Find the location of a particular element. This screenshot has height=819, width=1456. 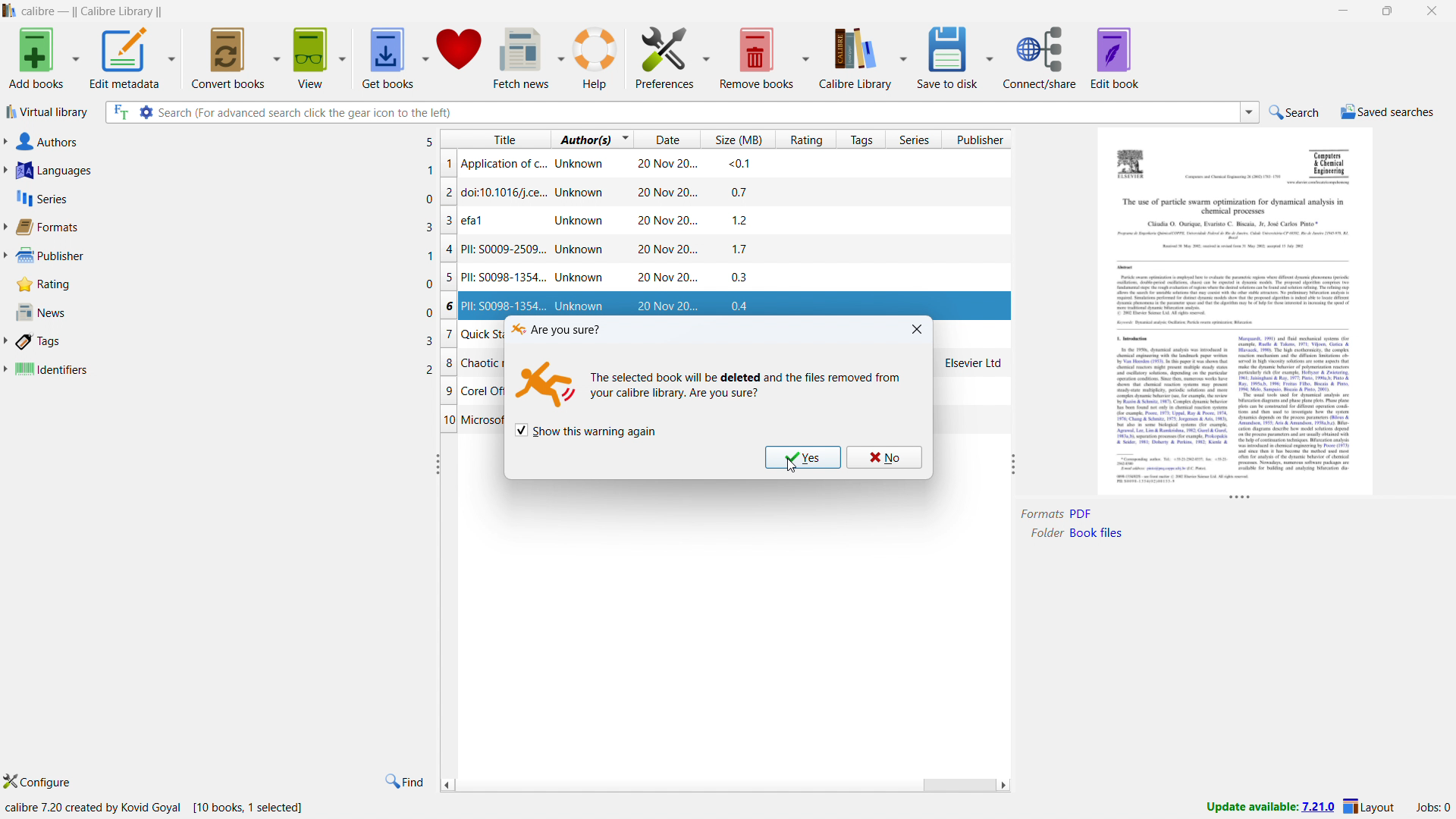

close is located at coordinates (915, 329).